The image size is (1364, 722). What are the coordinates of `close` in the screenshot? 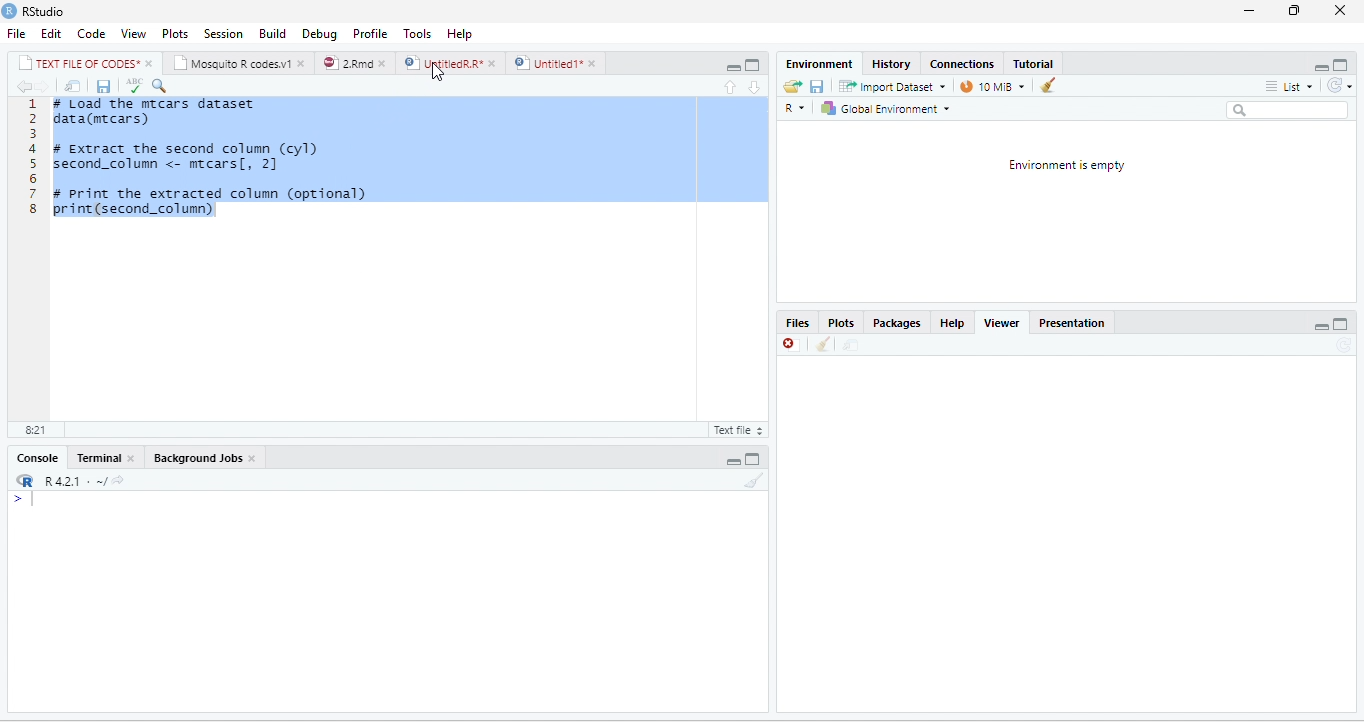 It's located at (254, 458).